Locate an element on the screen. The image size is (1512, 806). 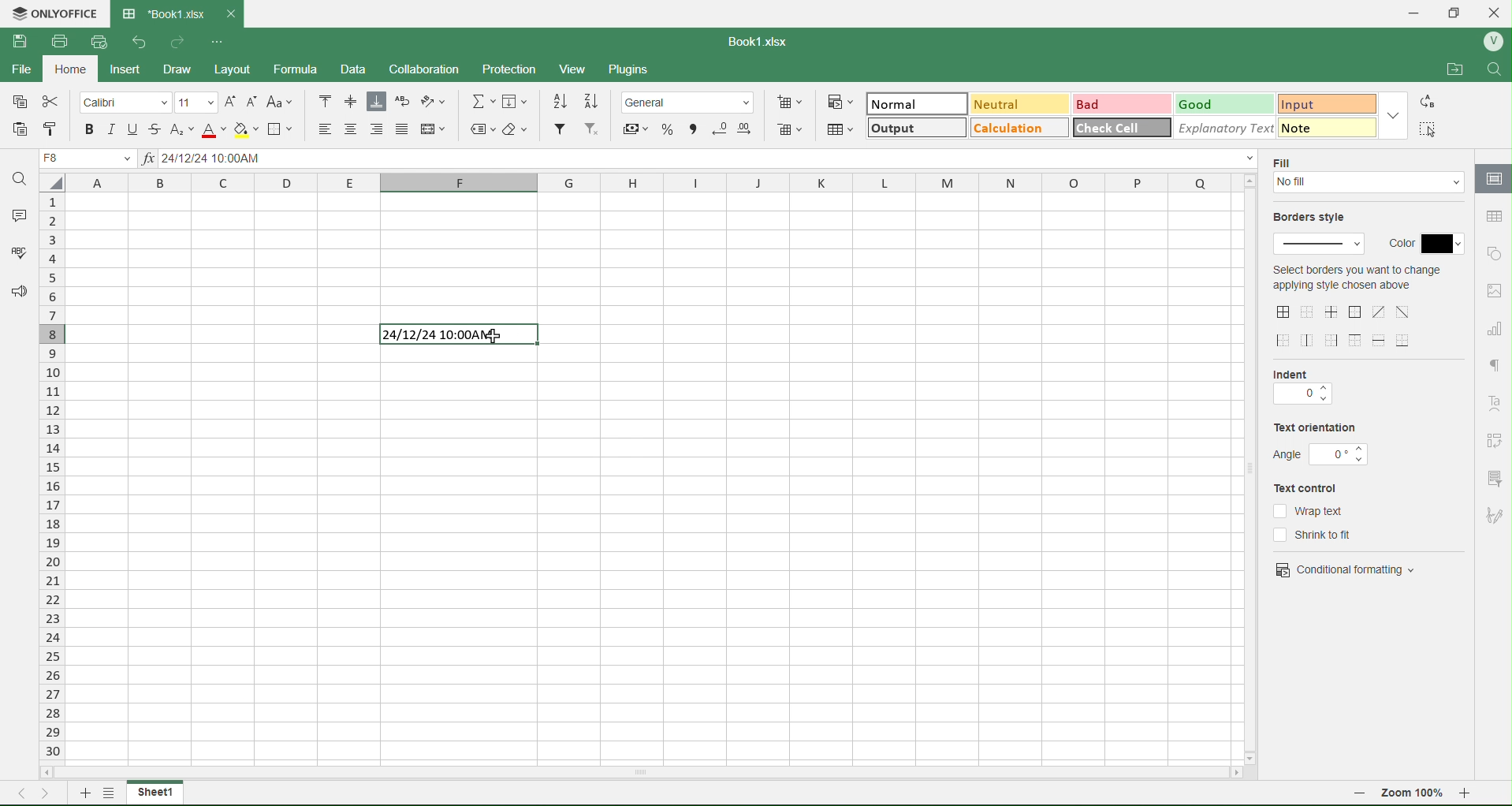
explanatory text is located at coordinates (1218, 127).